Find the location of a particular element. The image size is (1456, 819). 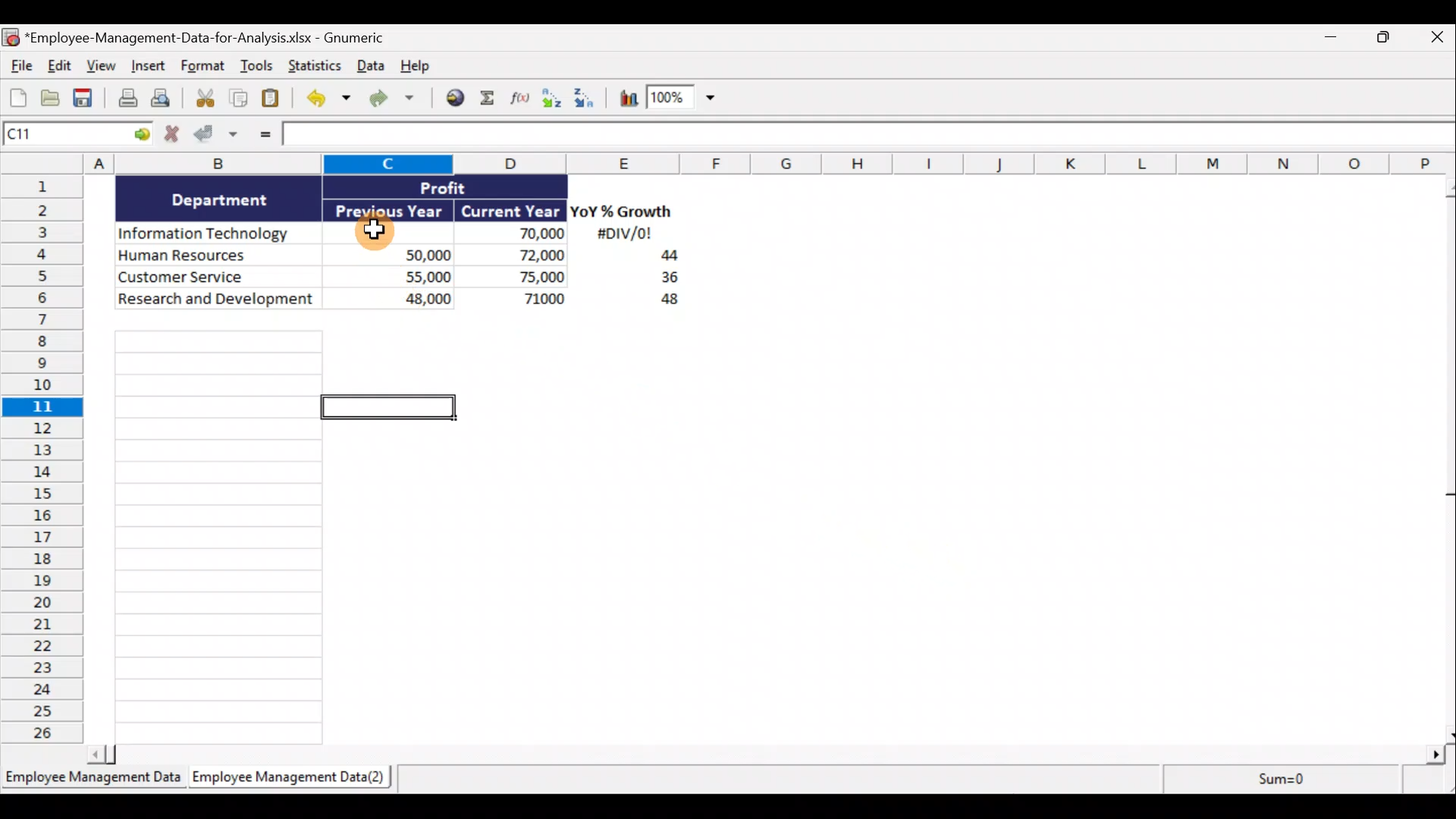

36 is located at coordinates (664, 280).